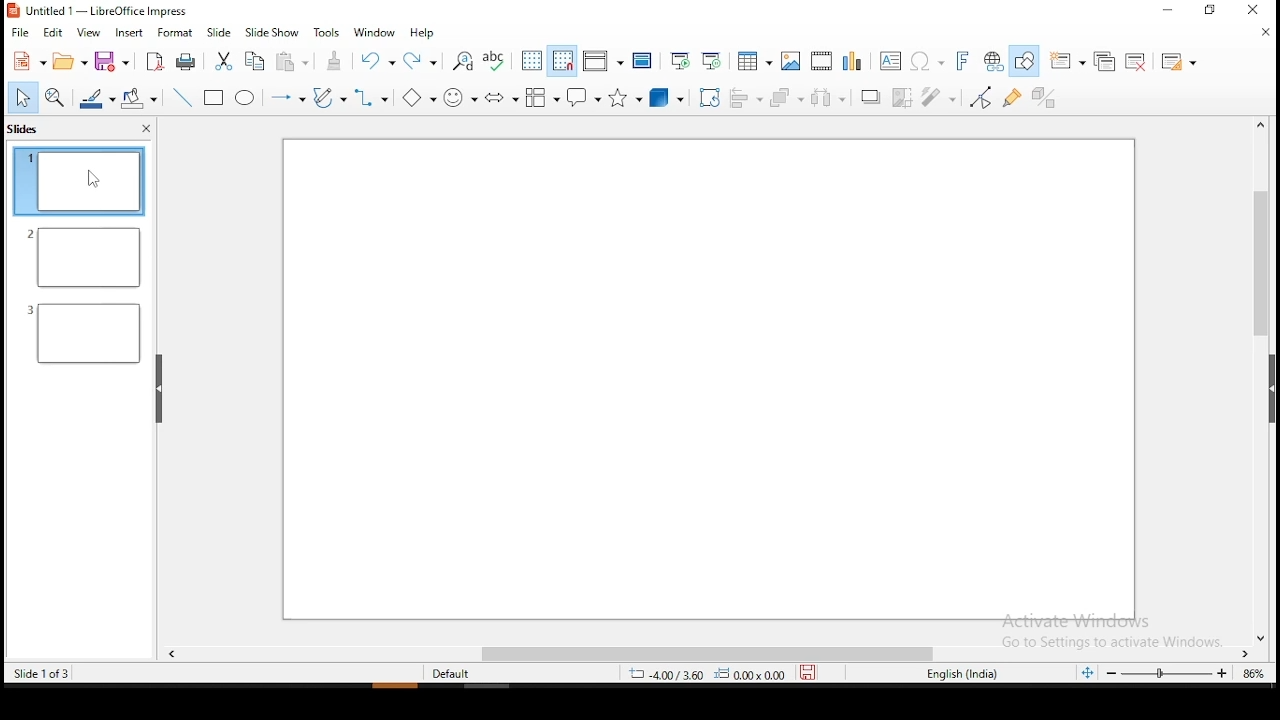 The image size is (1280, 720). I want to click on filter, so click(940, 92).